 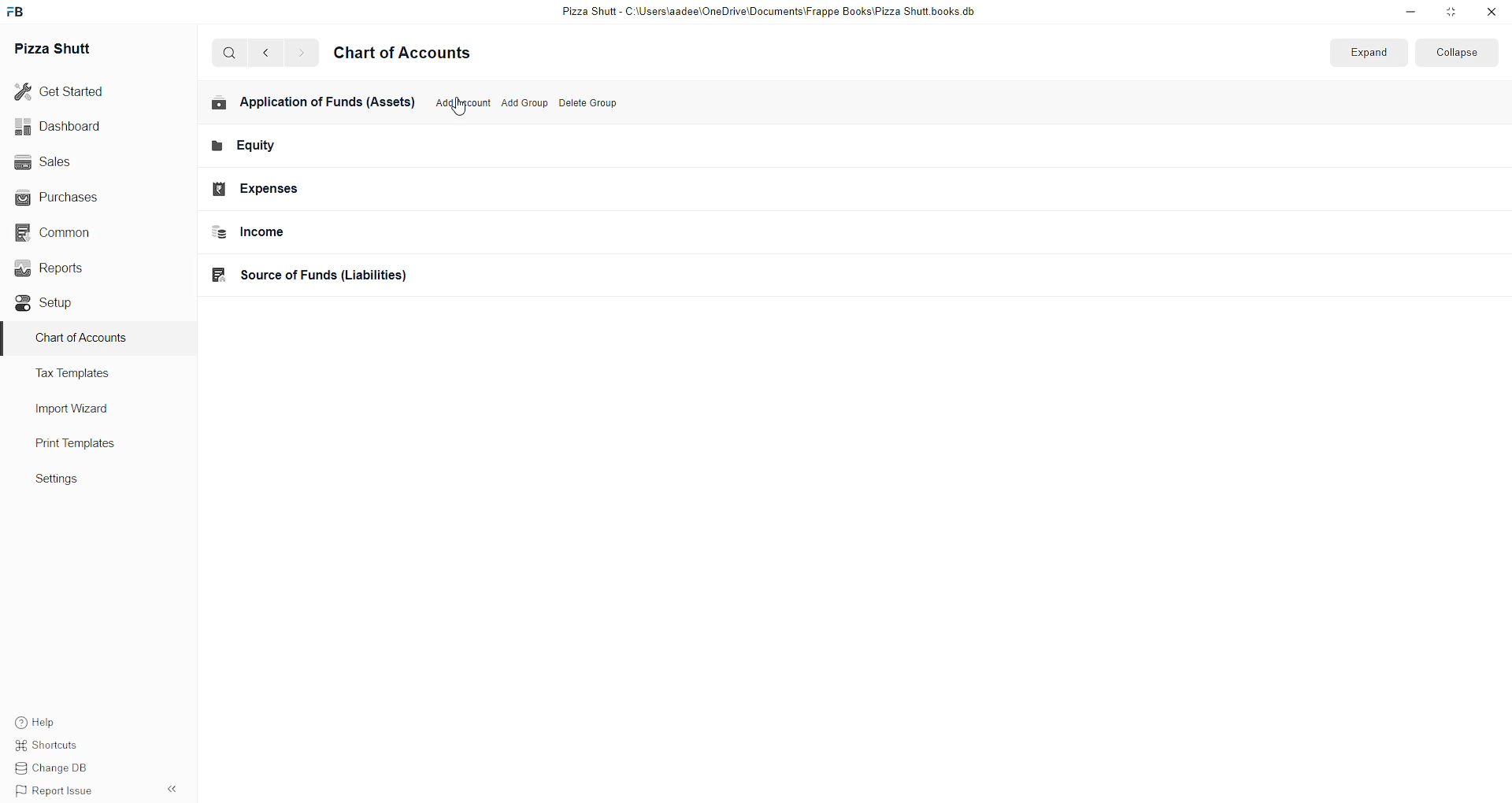 I want to click on Import Wizard , so click(x=81, y=409).